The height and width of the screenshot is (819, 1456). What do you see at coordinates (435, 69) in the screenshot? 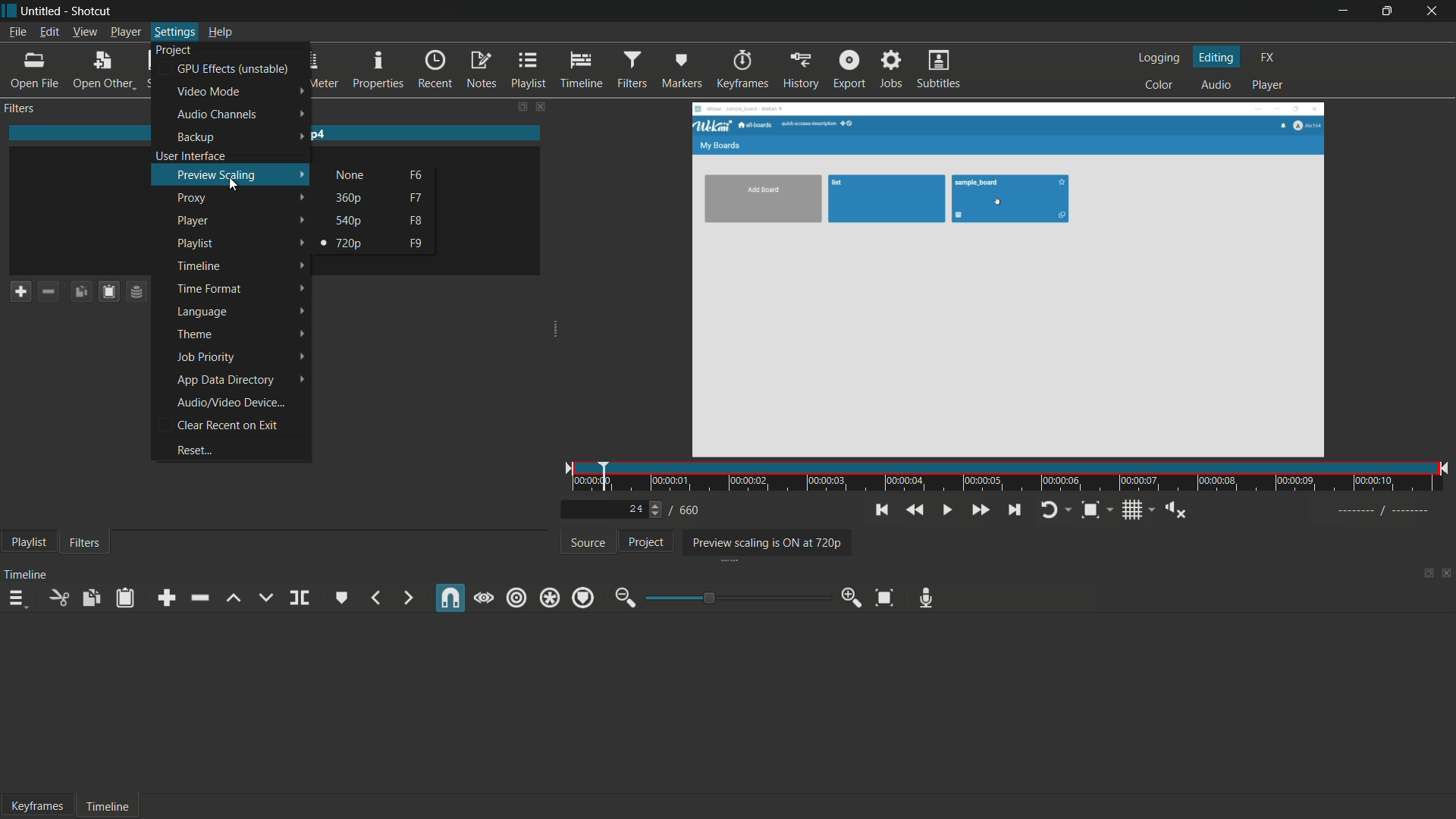
I see `recent` at bounding box center [435, 69].